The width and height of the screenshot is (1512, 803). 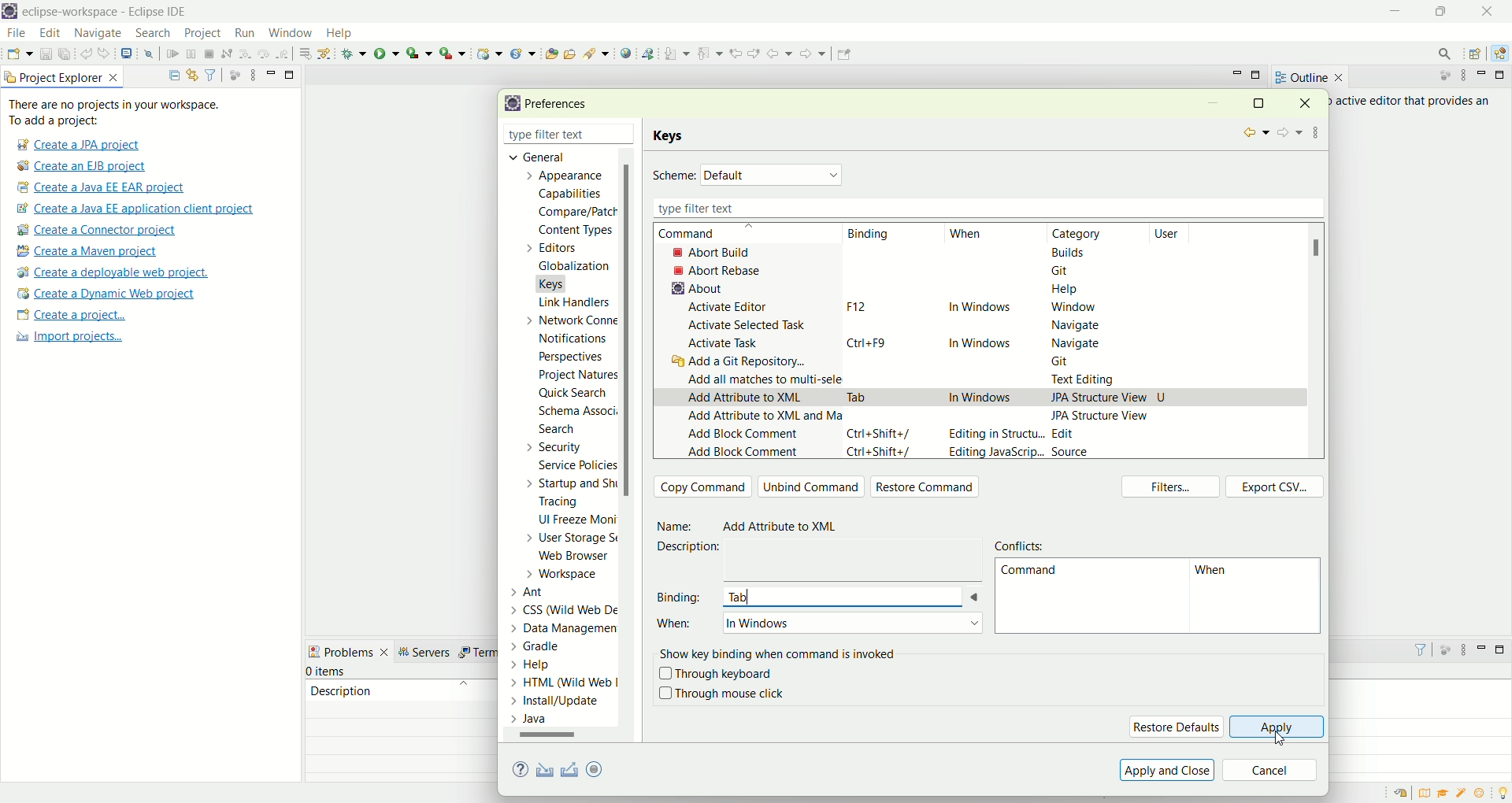 I want to click on run last tool, so click(x=454, y=53).